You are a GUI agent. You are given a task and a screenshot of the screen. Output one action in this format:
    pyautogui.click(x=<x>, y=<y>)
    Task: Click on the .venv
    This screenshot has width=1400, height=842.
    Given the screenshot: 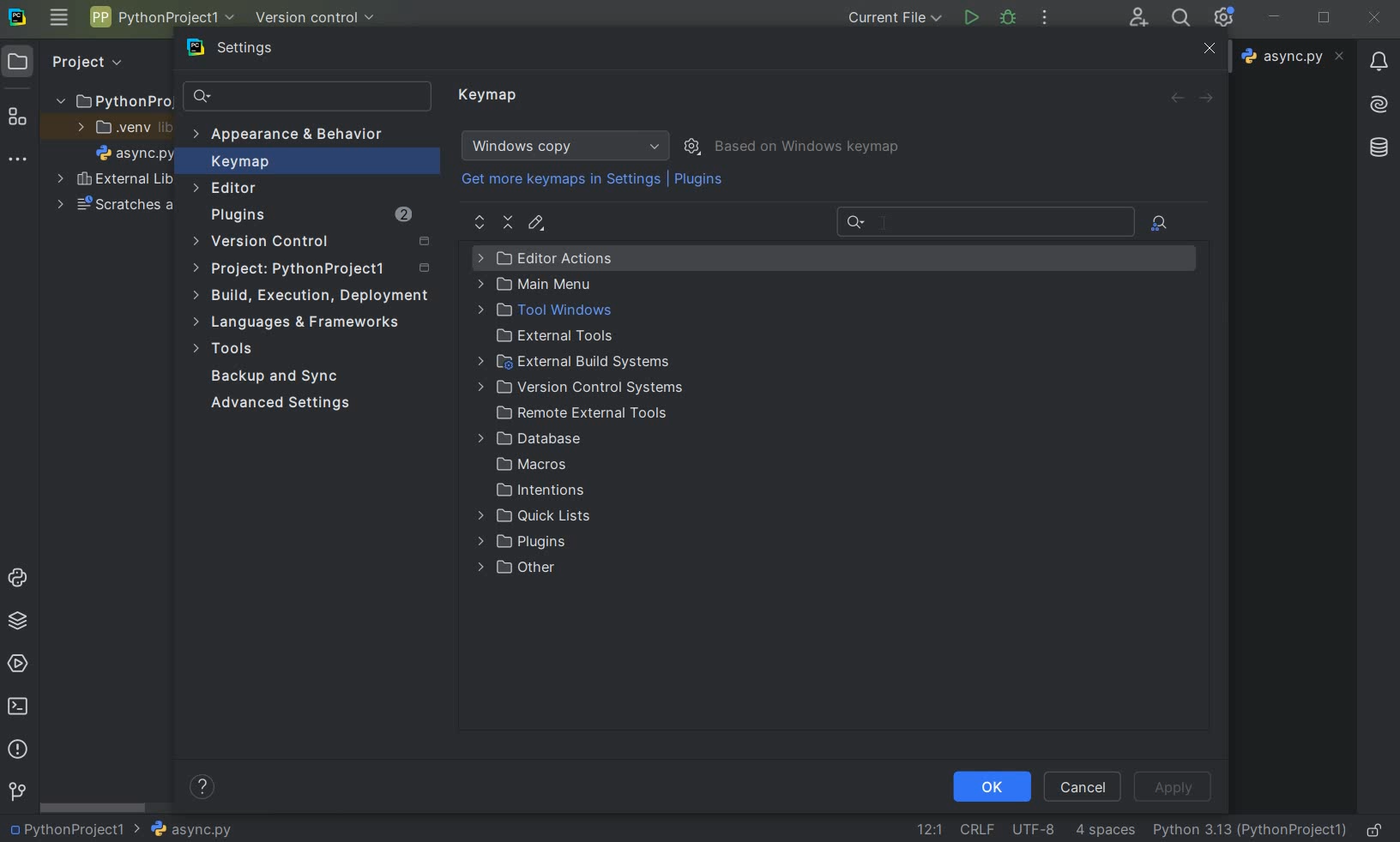 What is the action you would take?
    pyautogui.click(x=121, y=129)
    